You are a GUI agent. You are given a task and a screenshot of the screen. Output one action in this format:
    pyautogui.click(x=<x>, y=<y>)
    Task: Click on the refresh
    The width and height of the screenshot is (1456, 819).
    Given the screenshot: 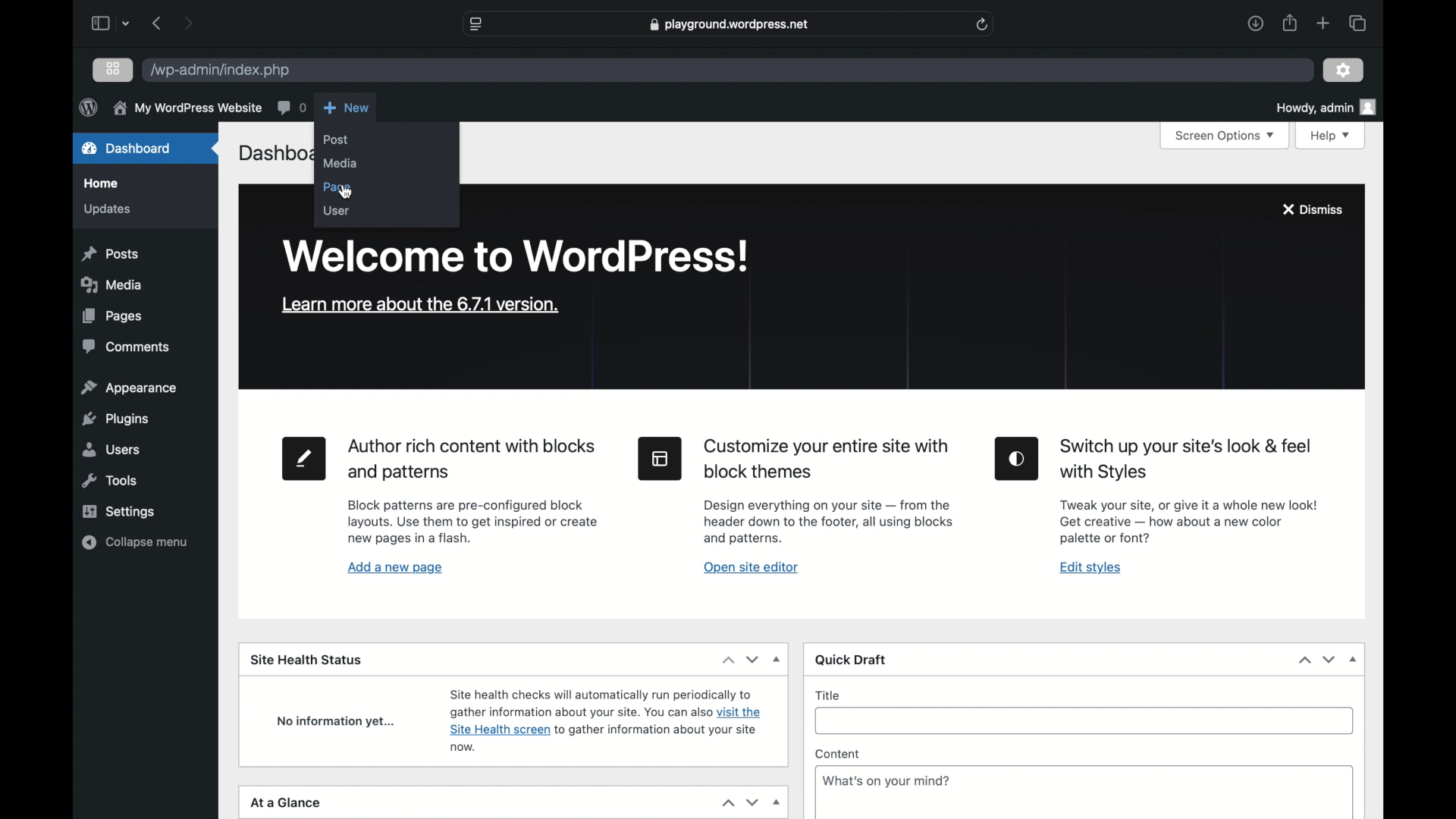 What is the action you would take?
    pyautogui.click(x=983, y=24)
    